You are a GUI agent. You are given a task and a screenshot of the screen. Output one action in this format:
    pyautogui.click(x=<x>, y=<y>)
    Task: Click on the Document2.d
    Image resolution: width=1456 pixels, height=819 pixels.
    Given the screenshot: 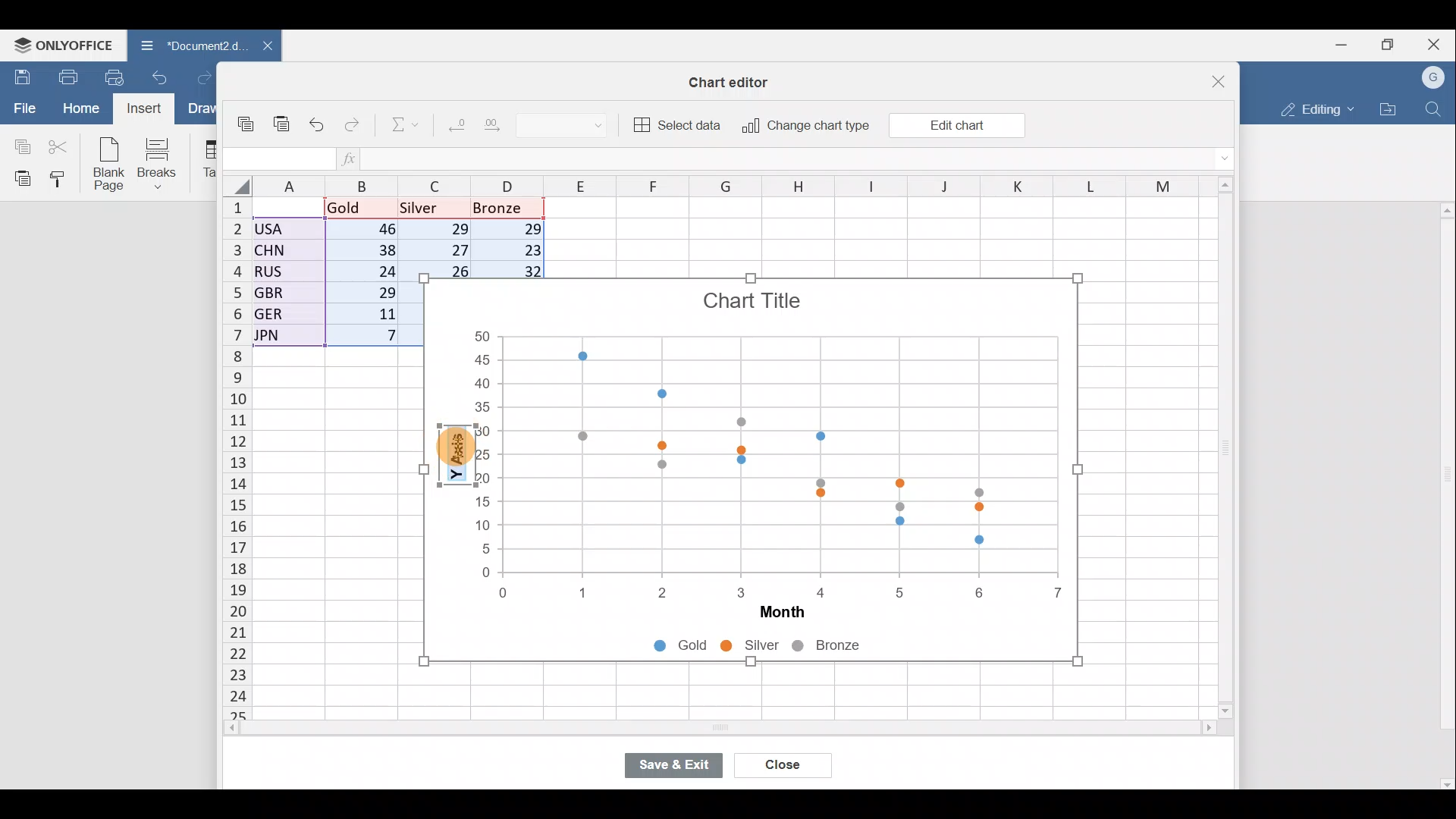 What is the action you would take?
    pyautogui.click(x=185, y=45)
    